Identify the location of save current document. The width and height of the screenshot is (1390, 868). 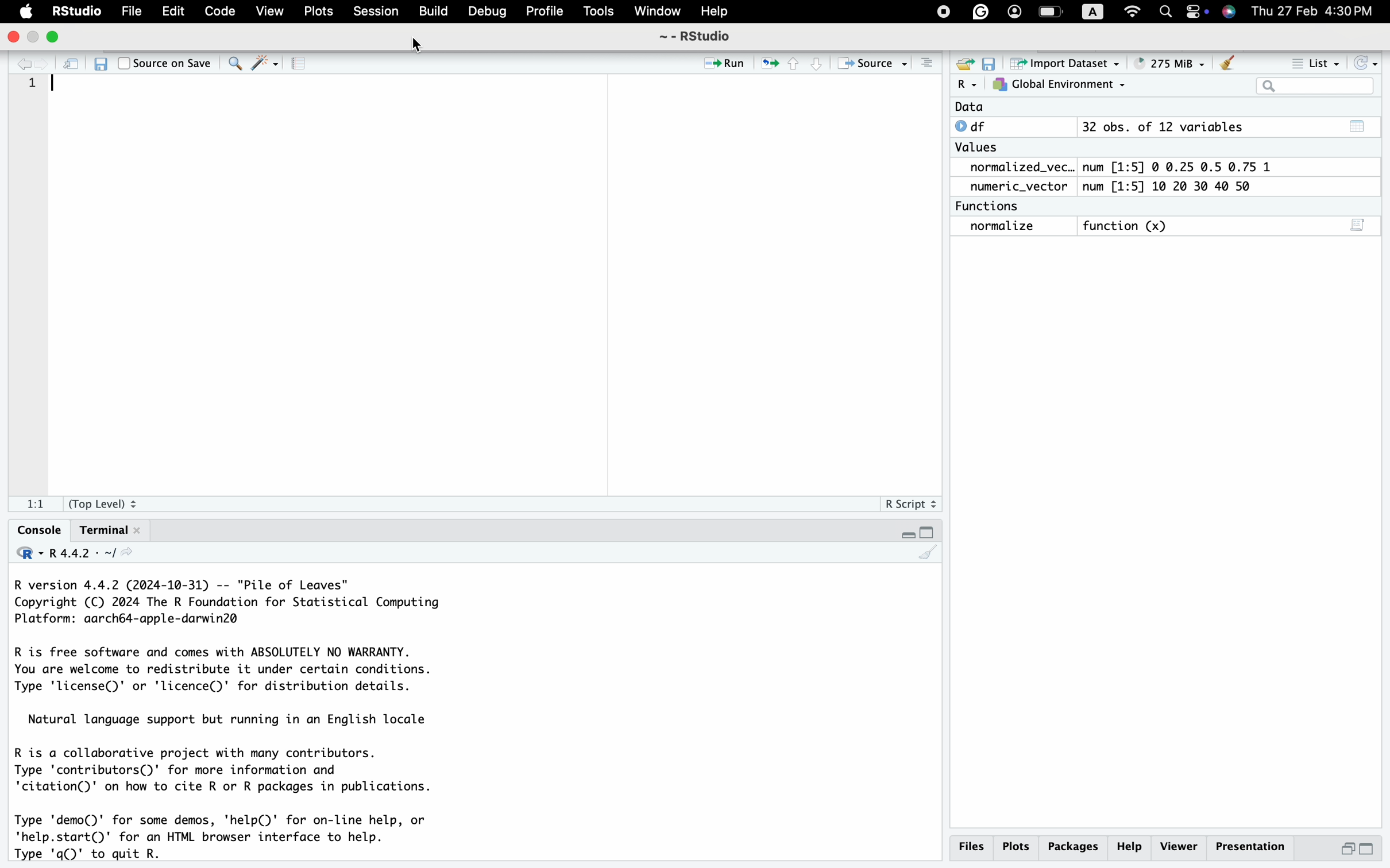
(100, 64).